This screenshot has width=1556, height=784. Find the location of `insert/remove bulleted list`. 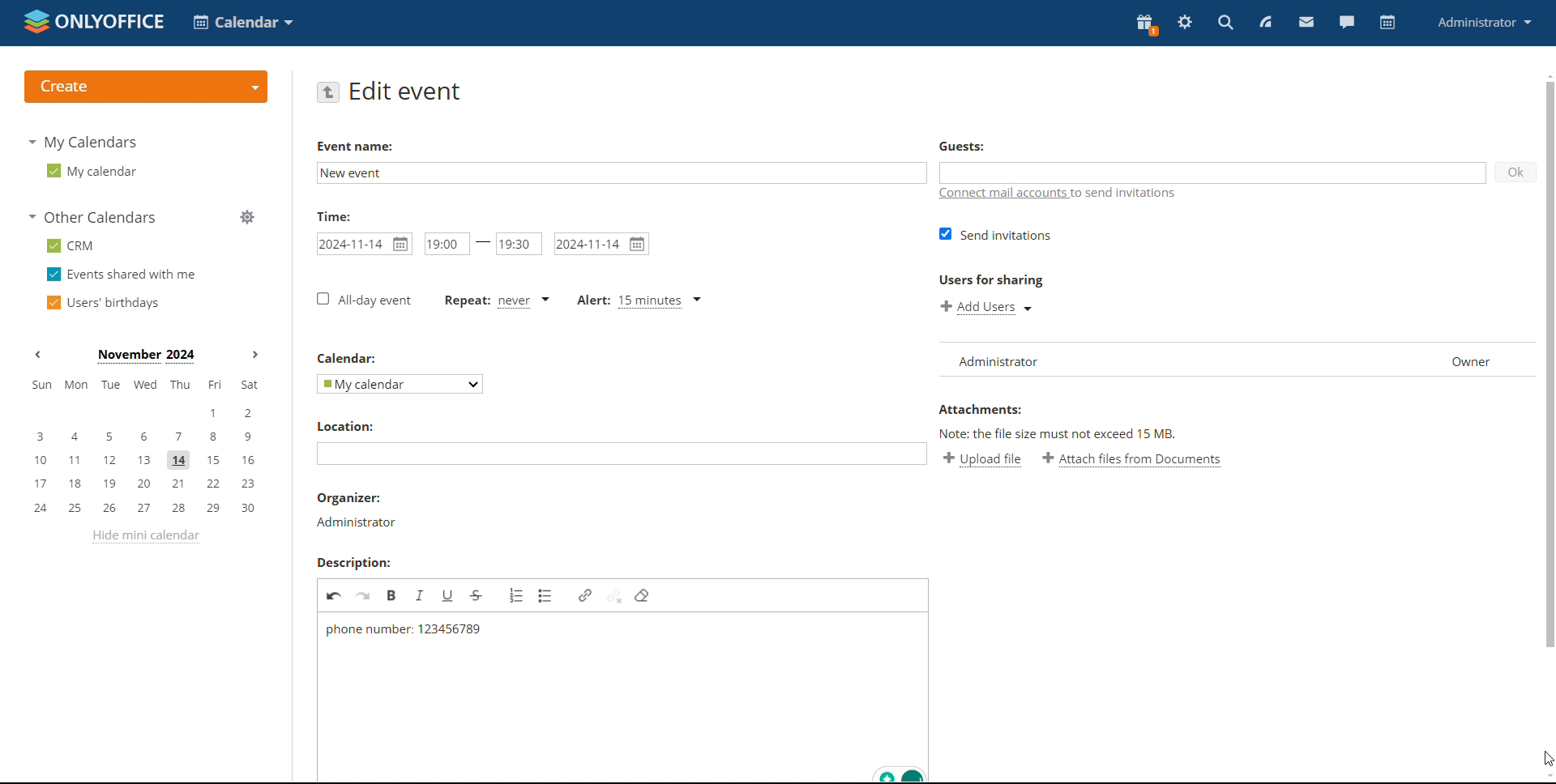

insert/remove bulleted list is located at coordinates (546, 595).